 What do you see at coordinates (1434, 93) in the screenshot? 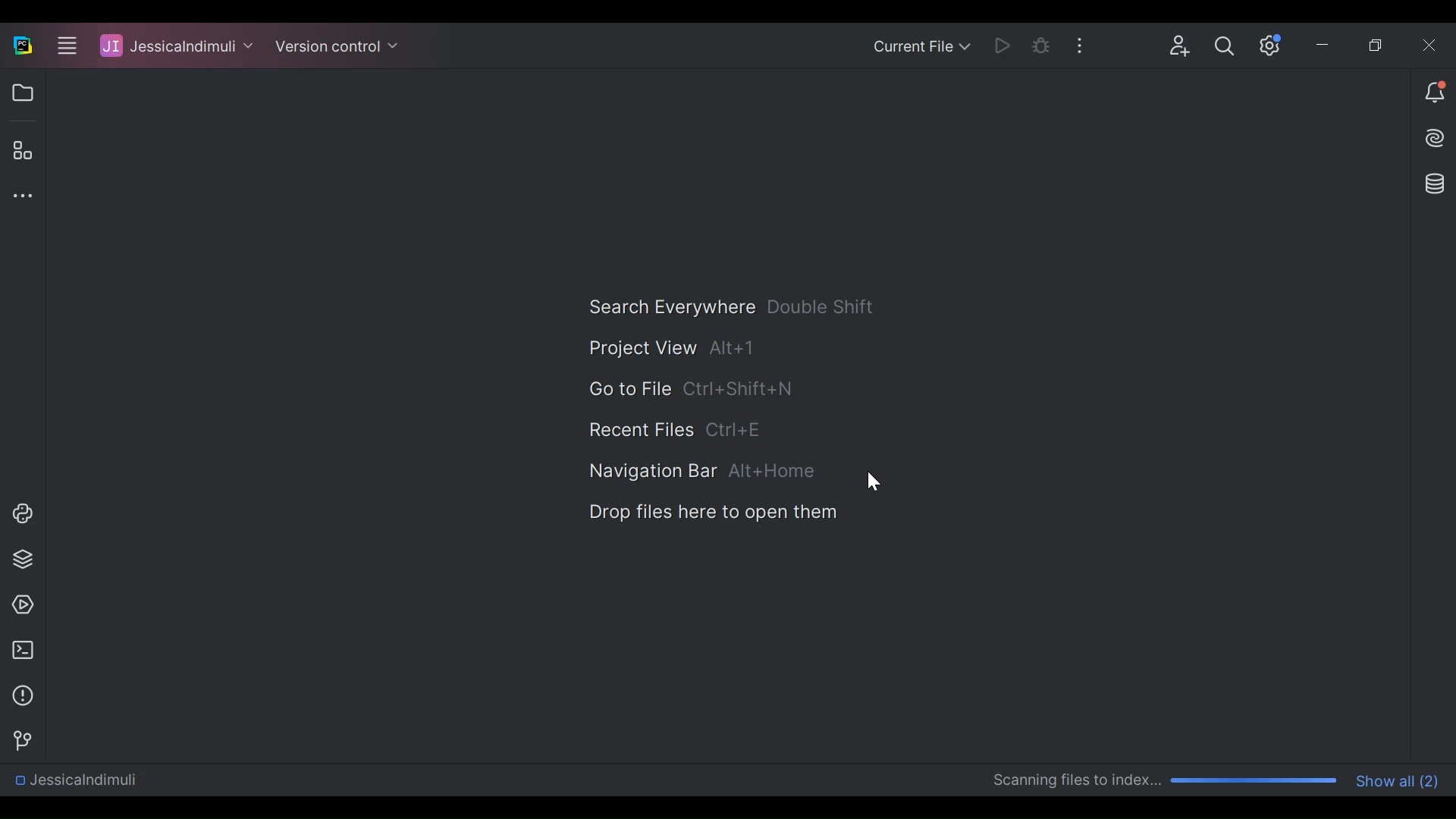
I see `Notification` at bounding box center [1434, 93].